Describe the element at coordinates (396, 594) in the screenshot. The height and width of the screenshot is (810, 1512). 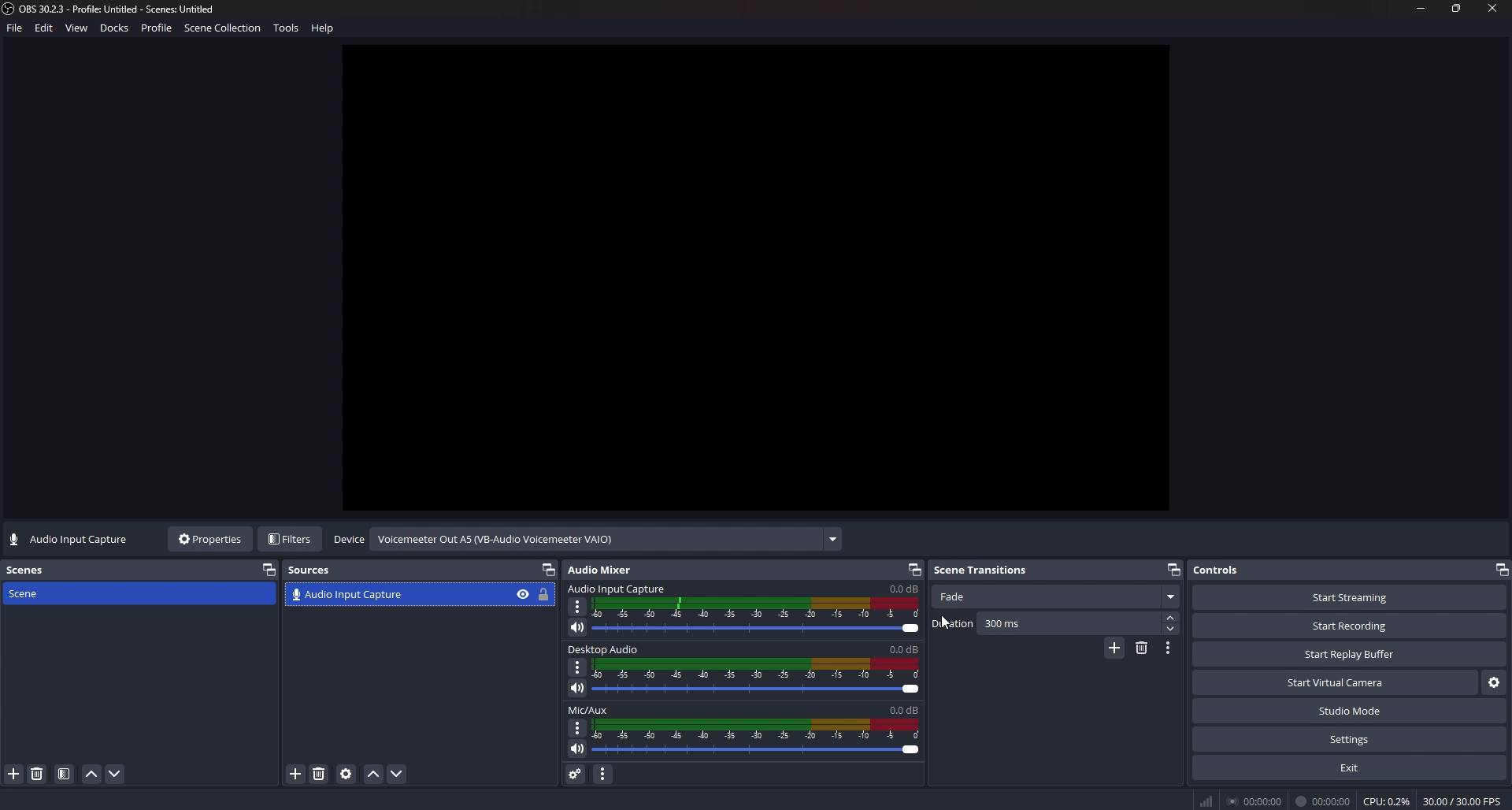
I see `source` at that location.